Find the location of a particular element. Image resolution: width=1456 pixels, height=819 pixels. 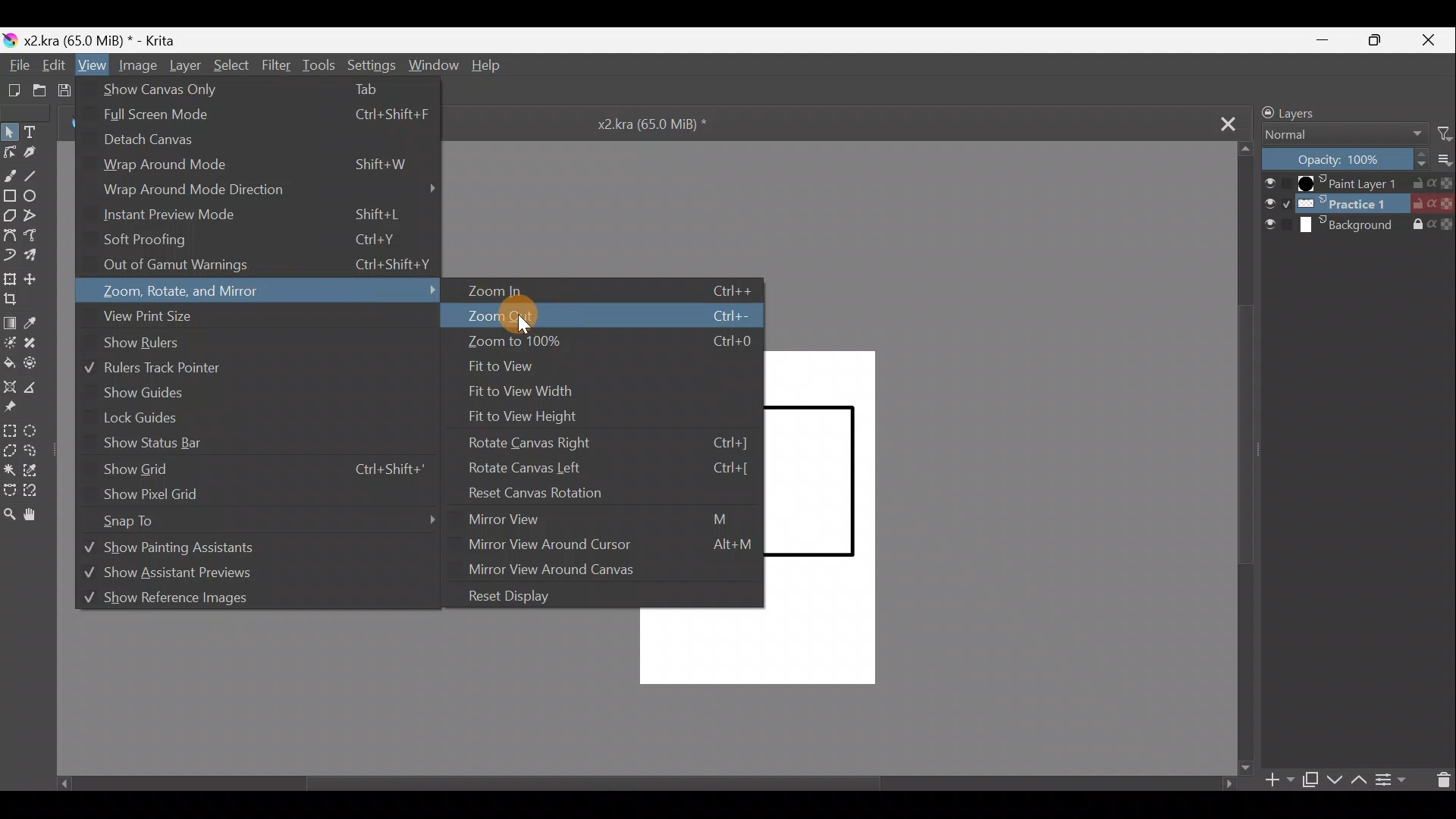

View is located at coordinates (90, 65).